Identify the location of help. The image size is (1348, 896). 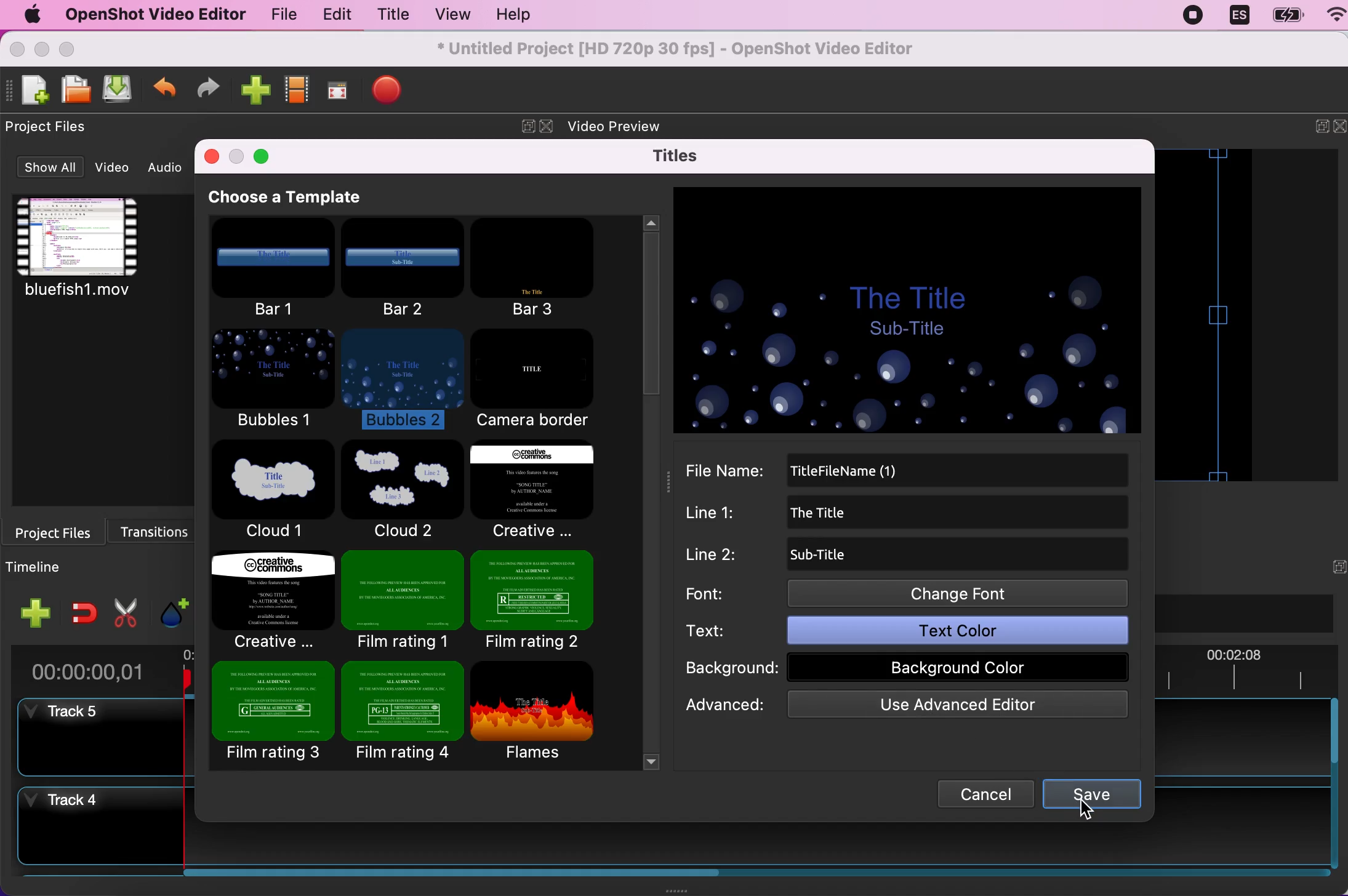
(508, 17).